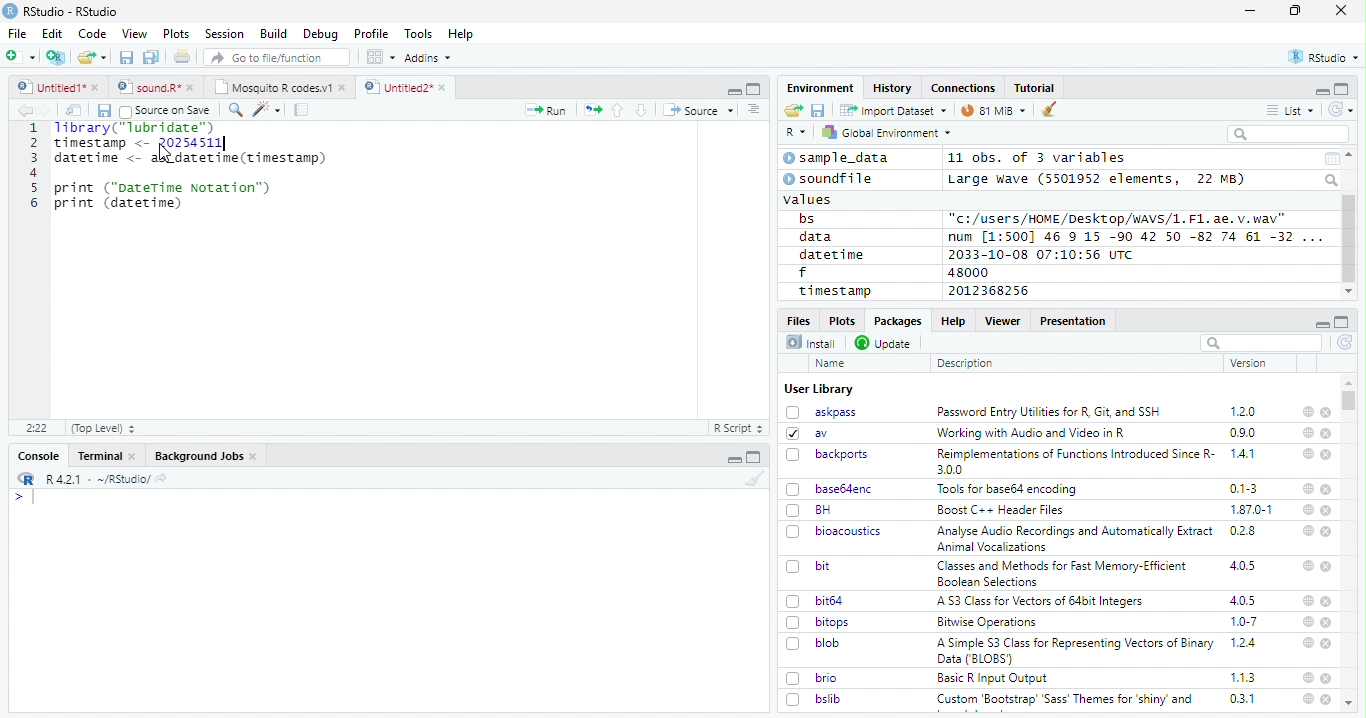 The height and width of the screenshot is (718, 1366). Describe the element at coordinates (1253, 11) in the screenshot. I see `minimize` at that location.